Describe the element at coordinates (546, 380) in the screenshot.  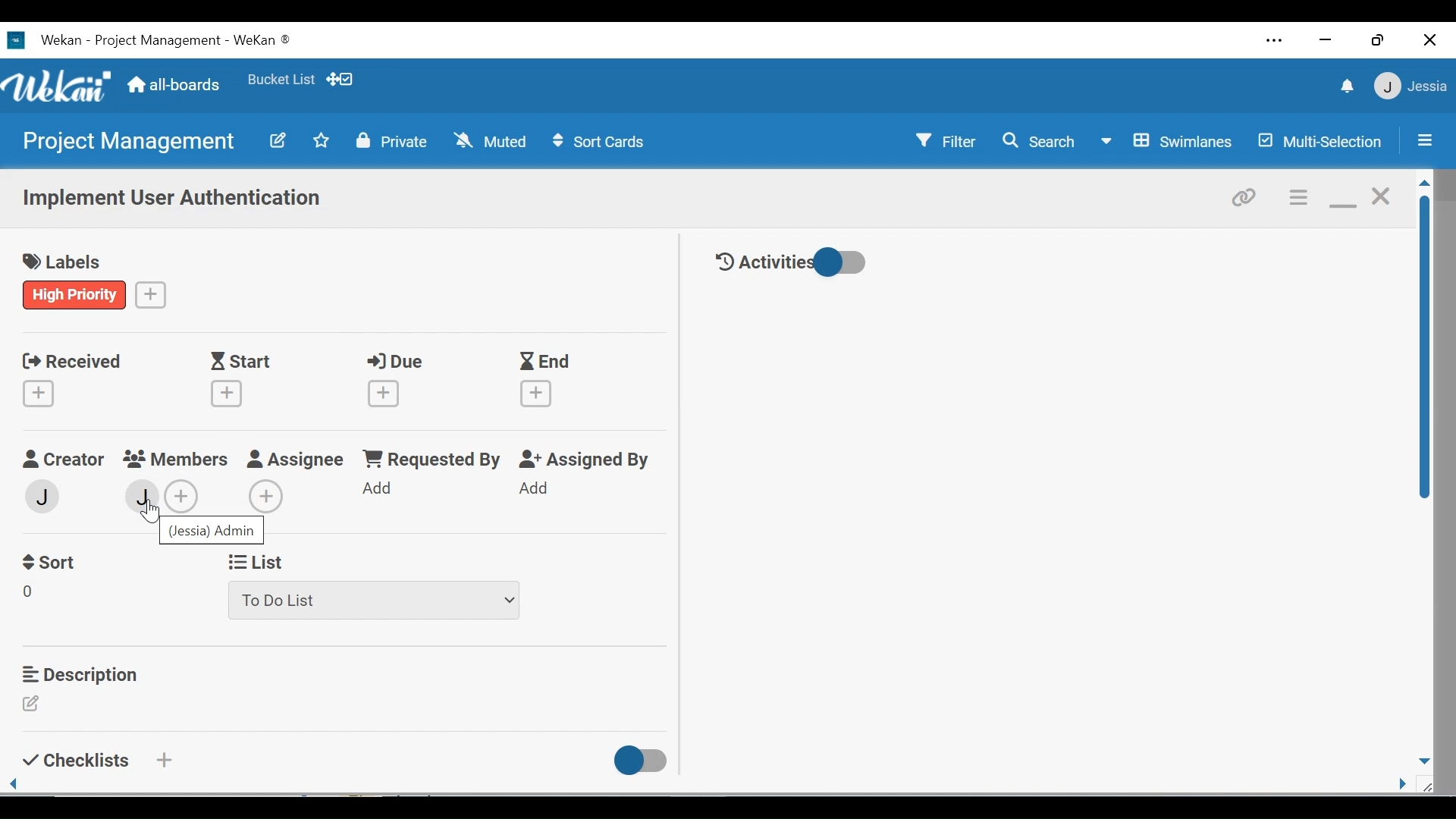
I see `X End` at that location.